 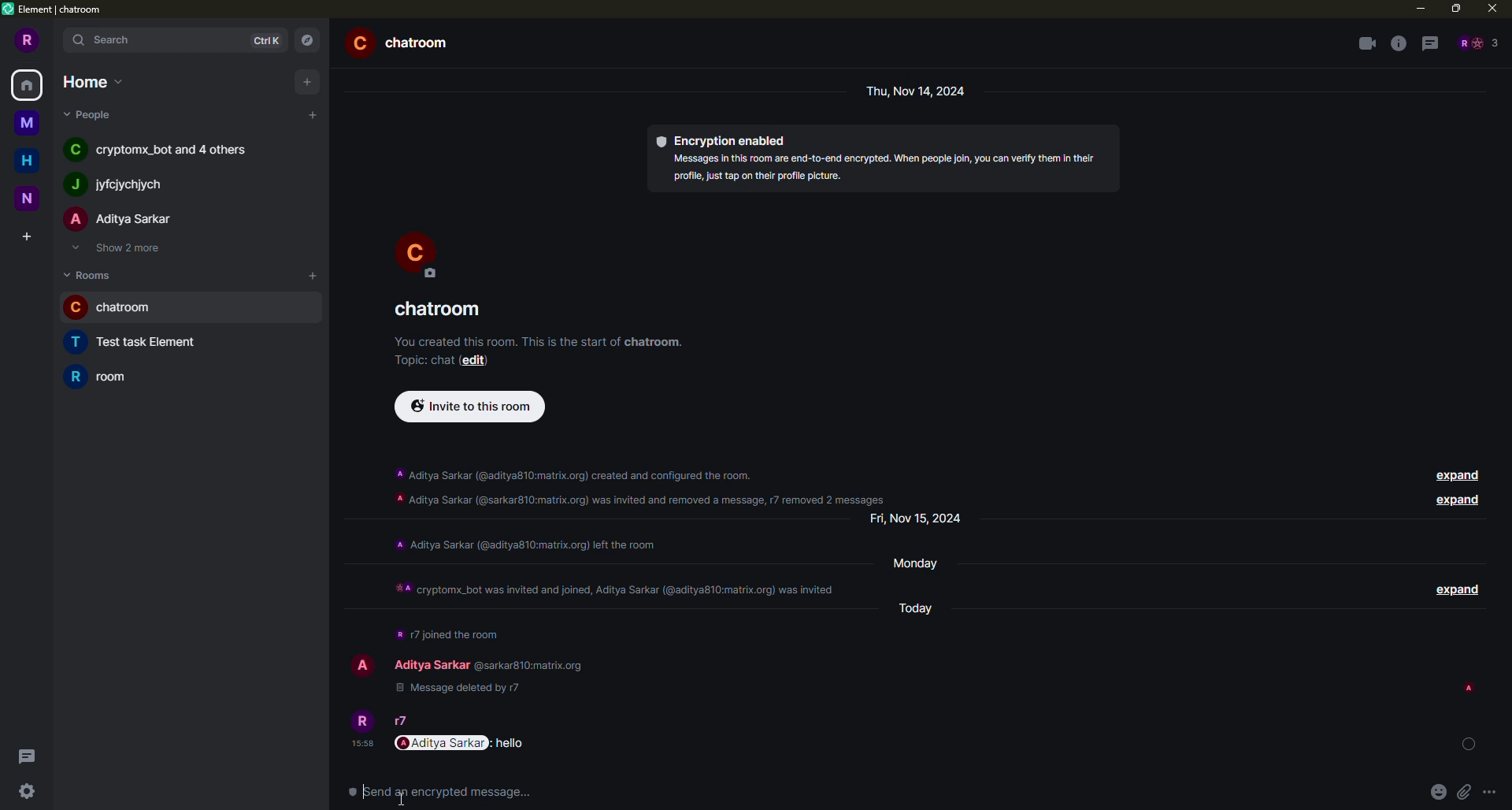 I want to click on info, so click(x=1398, y=43).